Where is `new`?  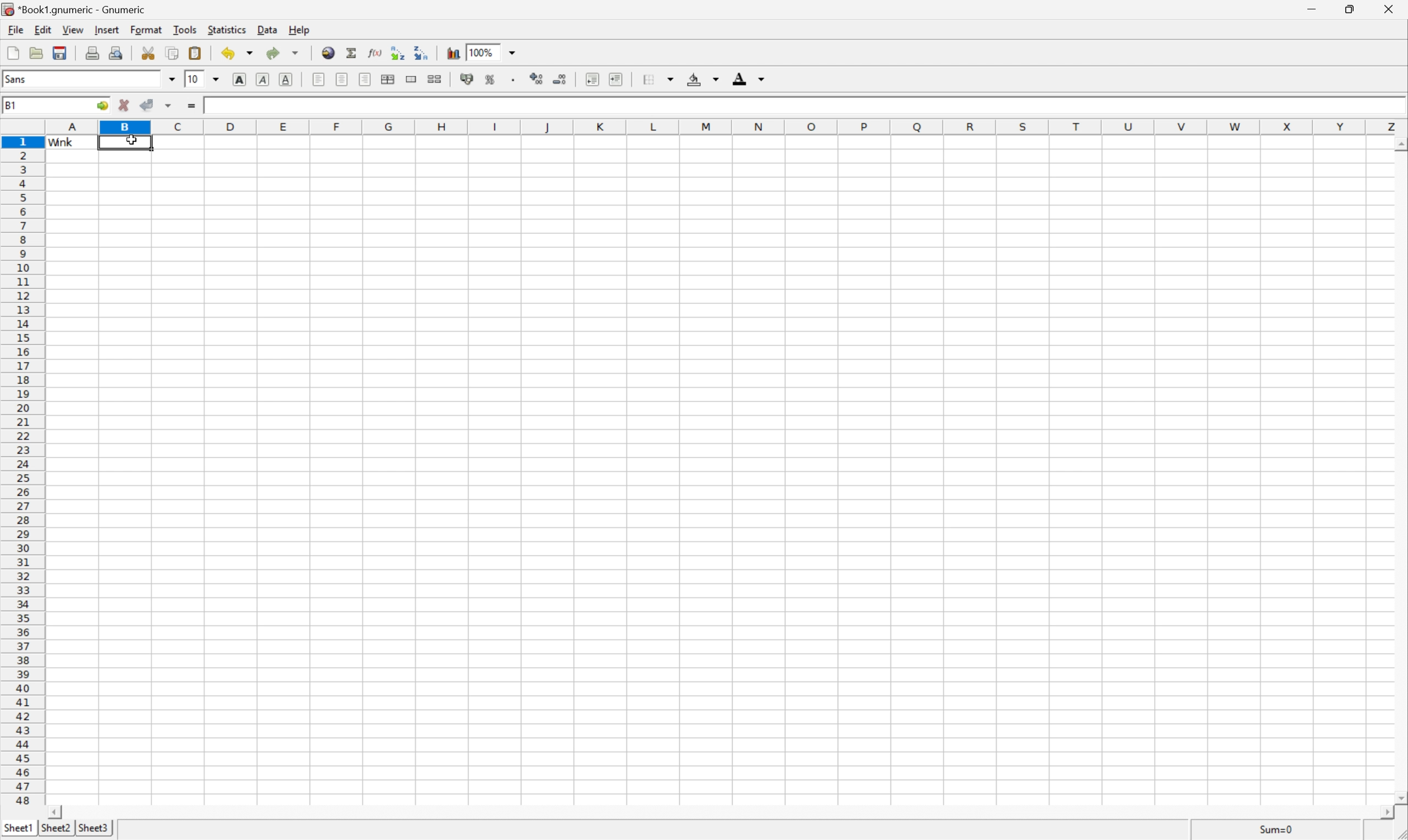 new is located at coordinates (11, 53).